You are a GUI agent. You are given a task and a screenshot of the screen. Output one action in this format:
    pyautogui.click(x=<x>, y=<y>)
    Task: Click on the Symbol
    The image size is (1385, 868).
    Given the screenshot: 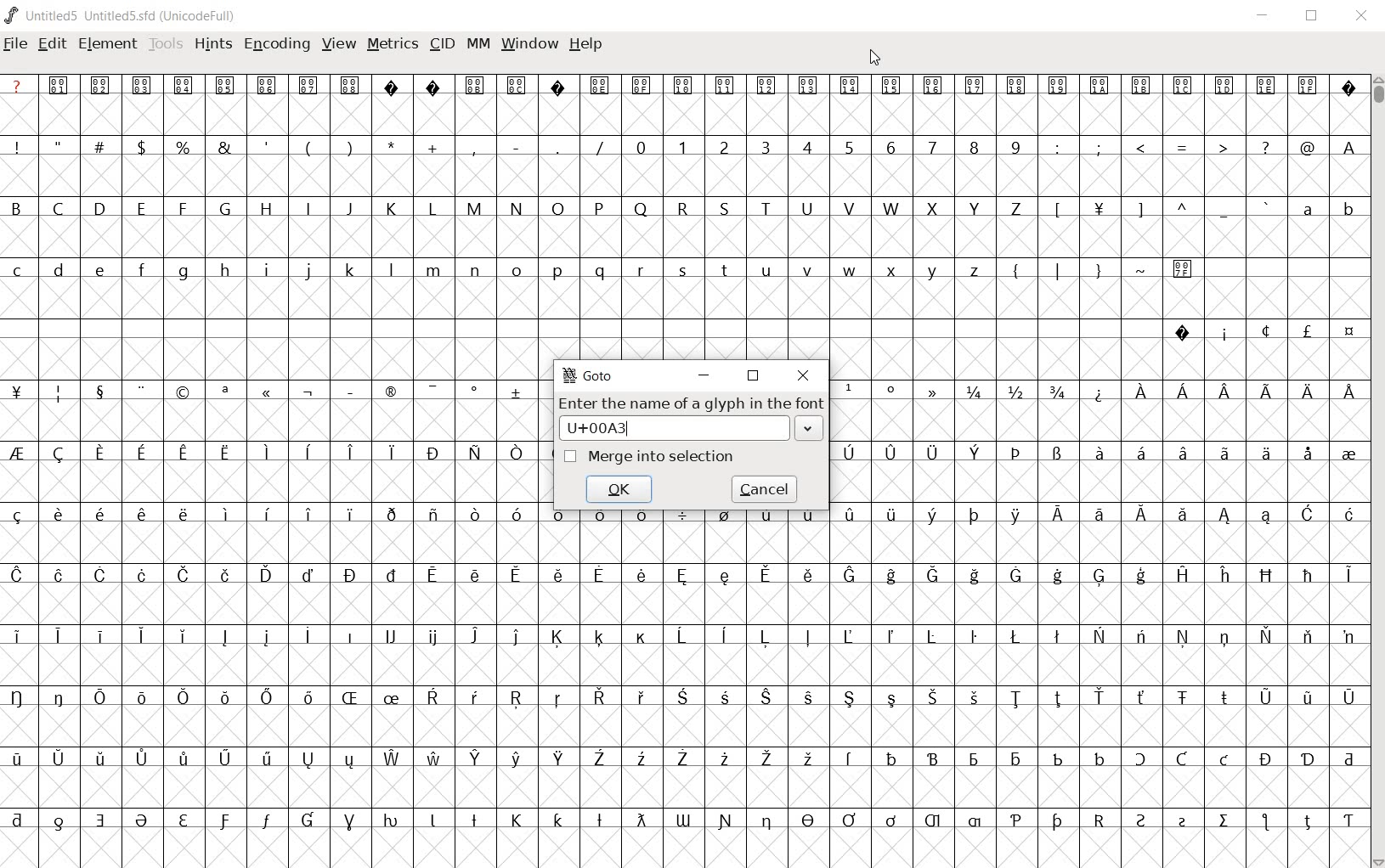 What is the action you would take?
    pyautogui.click(x=1225, y=760)
    